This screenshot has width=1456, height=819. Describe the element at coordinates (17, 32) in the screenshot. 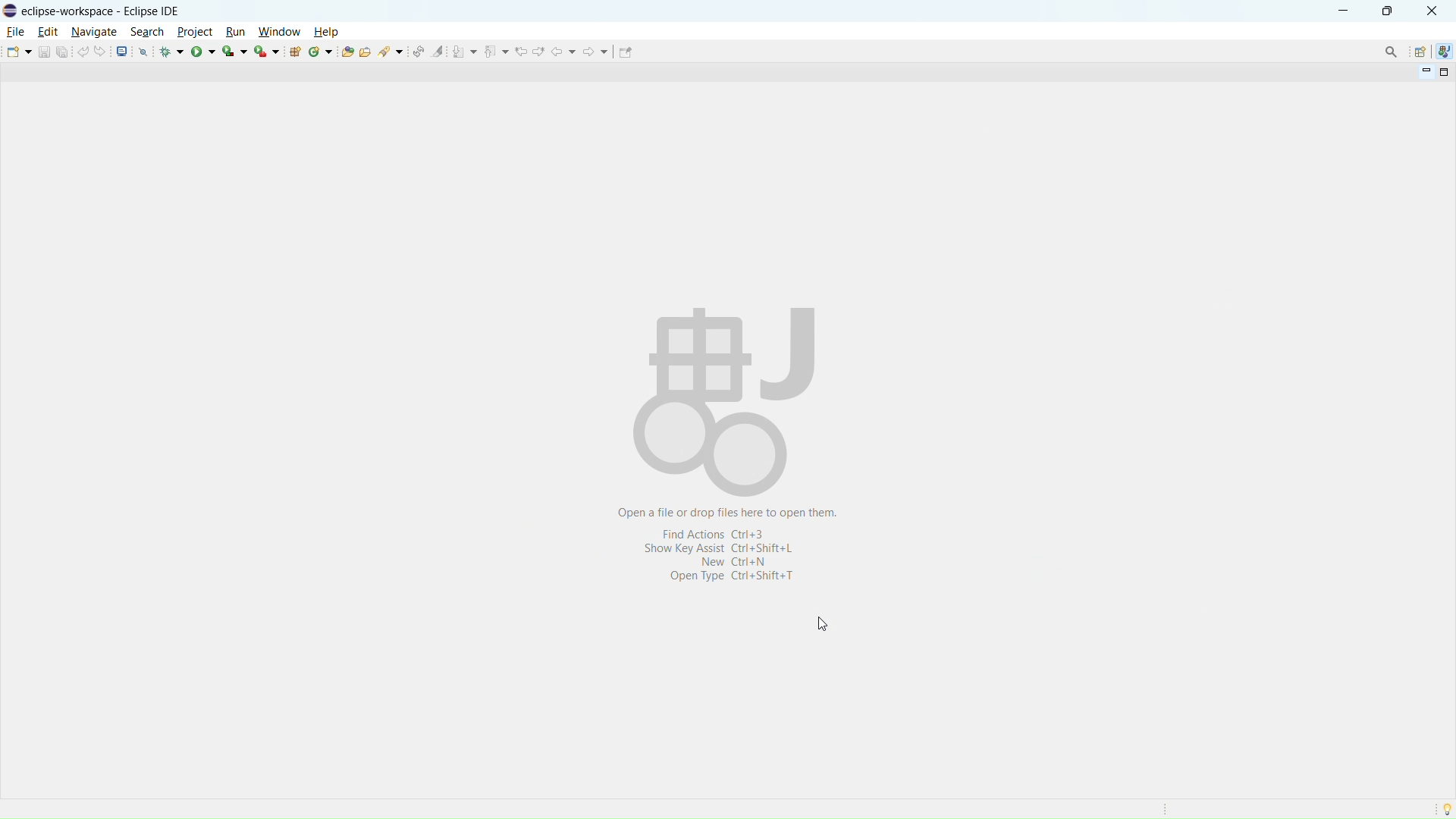

I see `file` at that location.